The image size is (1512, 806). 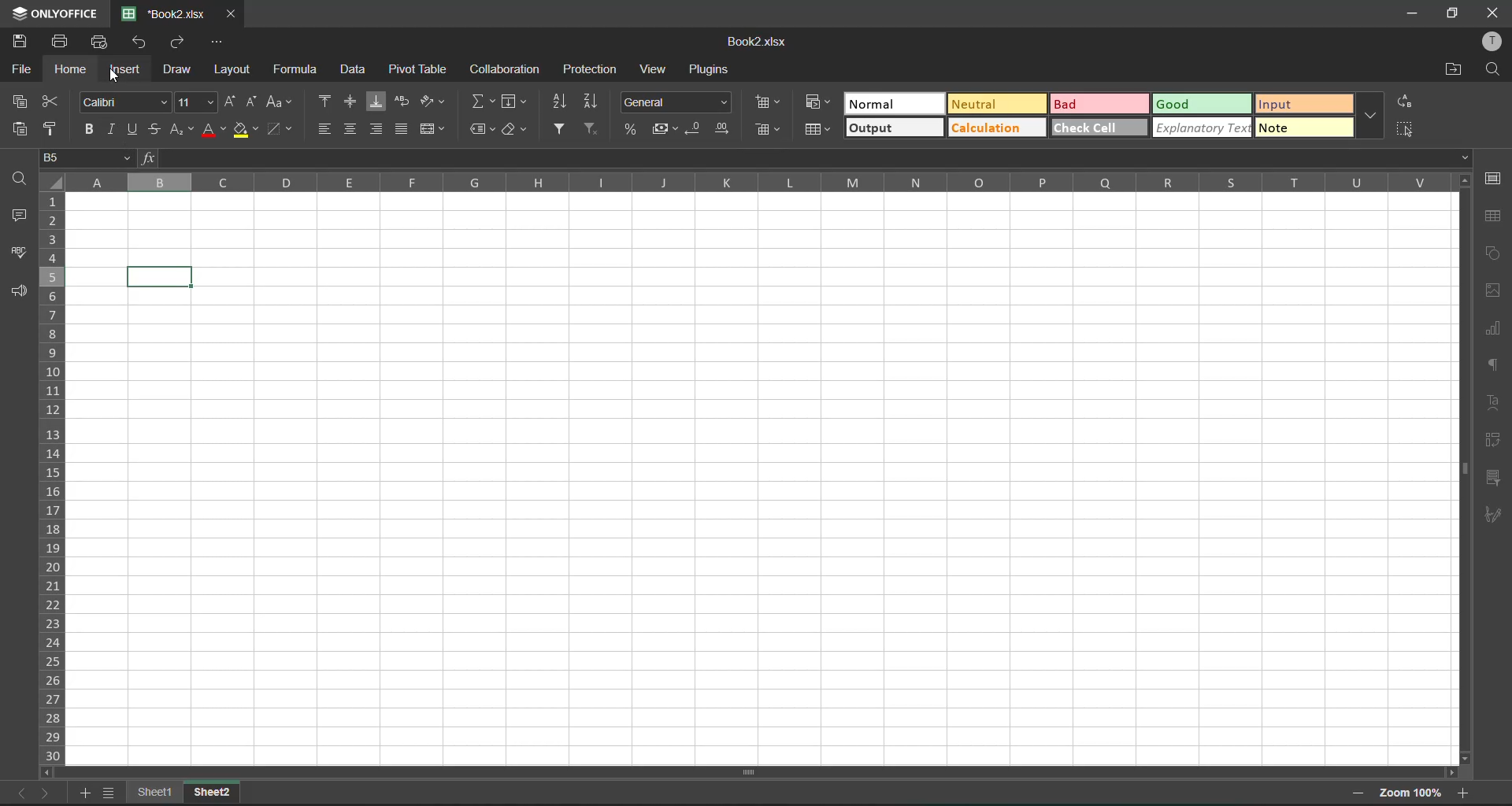 I want to click on check cell, so click(x=1096, y=125).